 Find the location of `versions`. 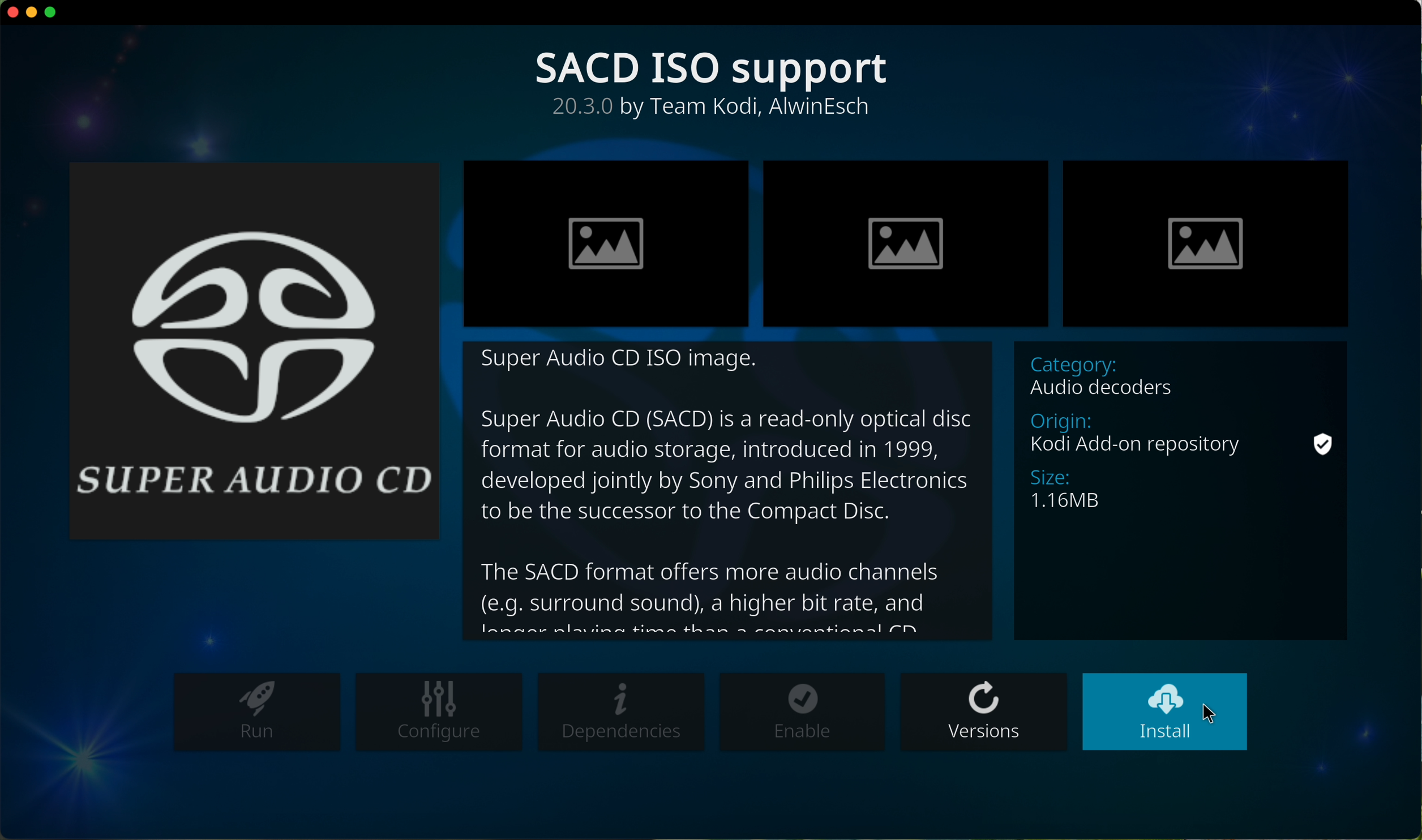

versions is located at coordinates (984, 711).